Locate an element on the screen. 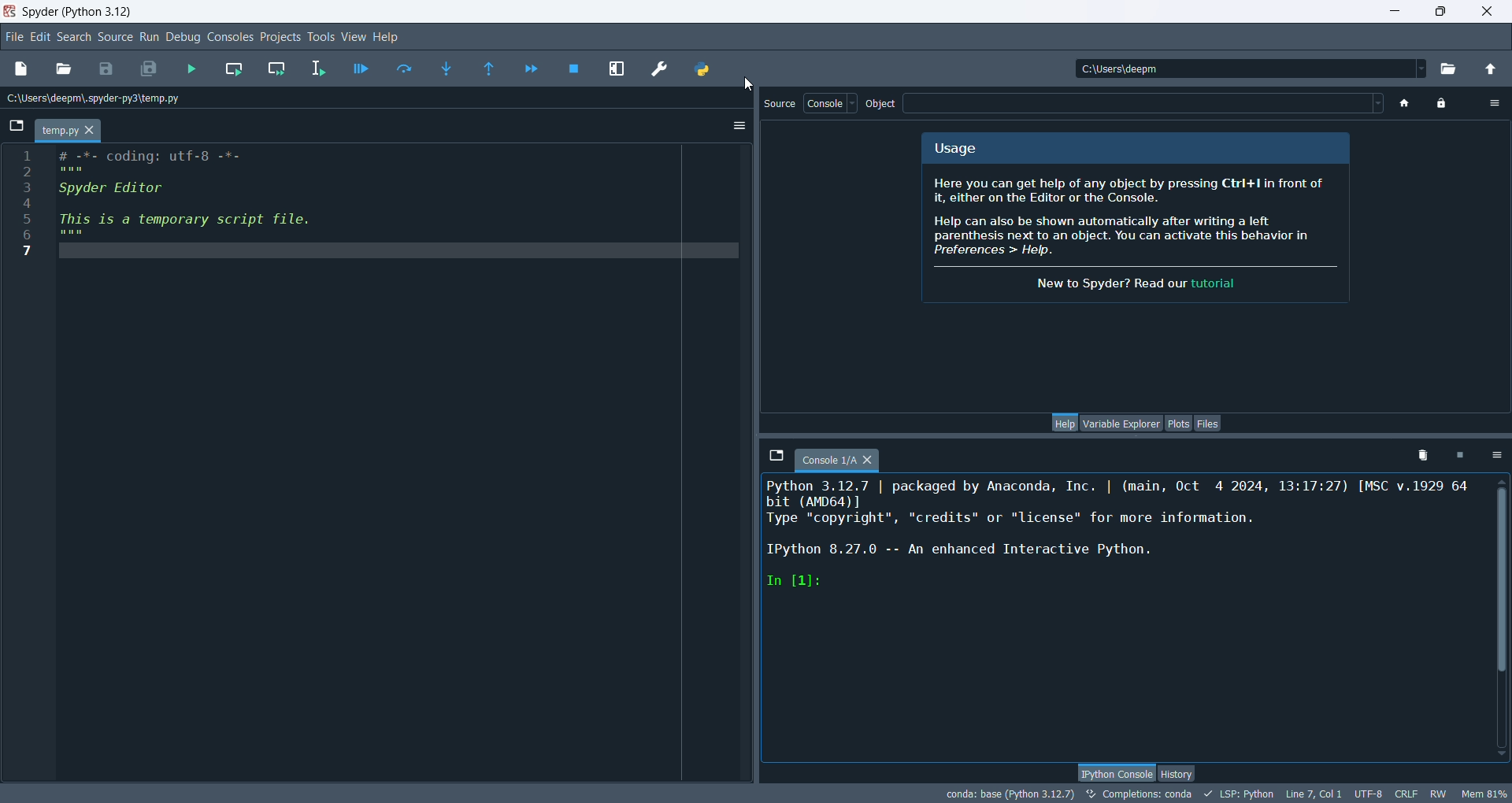 The image size is (1512, 803). interrupt kernel is located at coordinates (1460, 453).